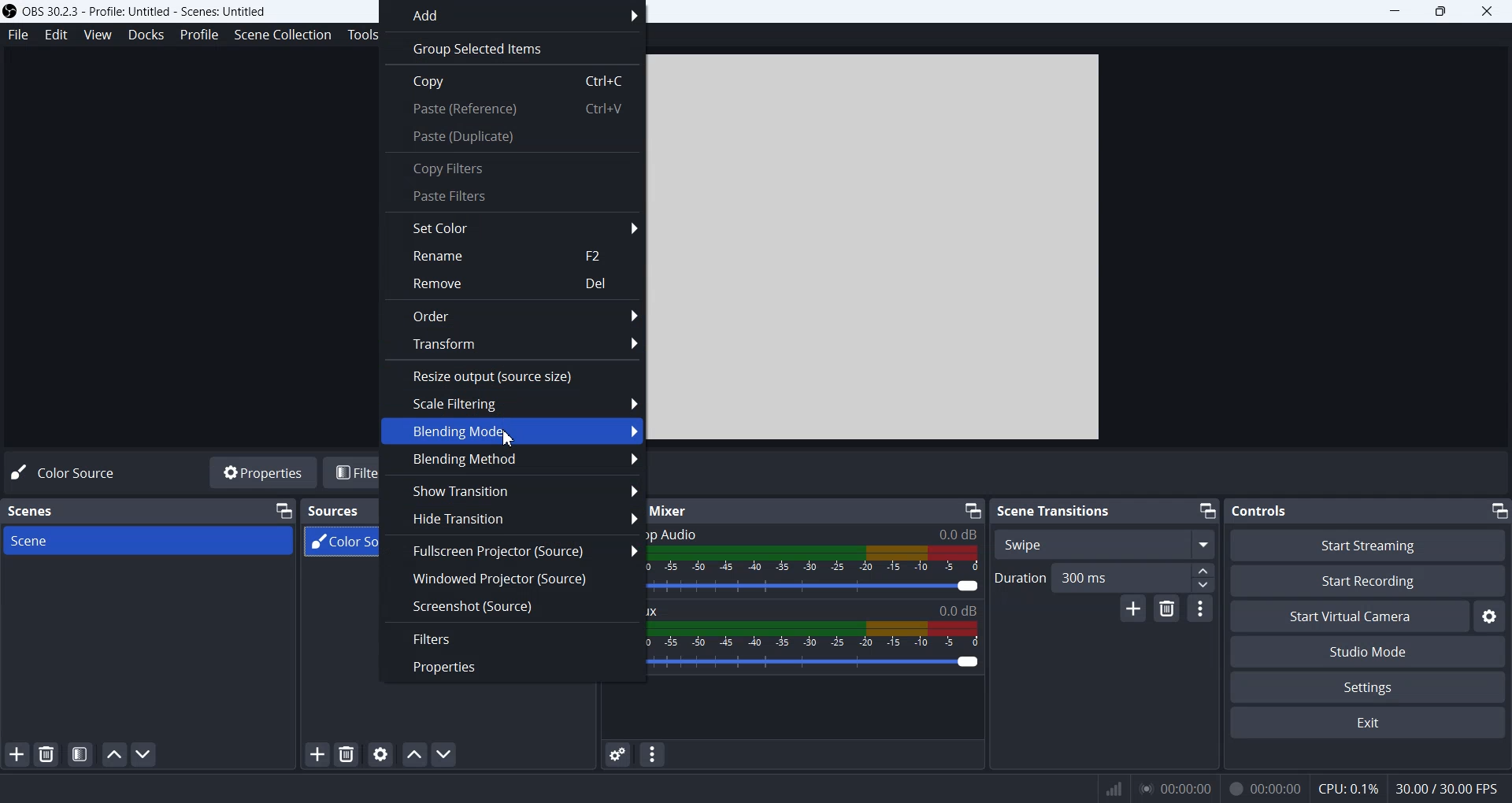 The image size is (1512, 803). I want to click on Scene, so click(150, 541).